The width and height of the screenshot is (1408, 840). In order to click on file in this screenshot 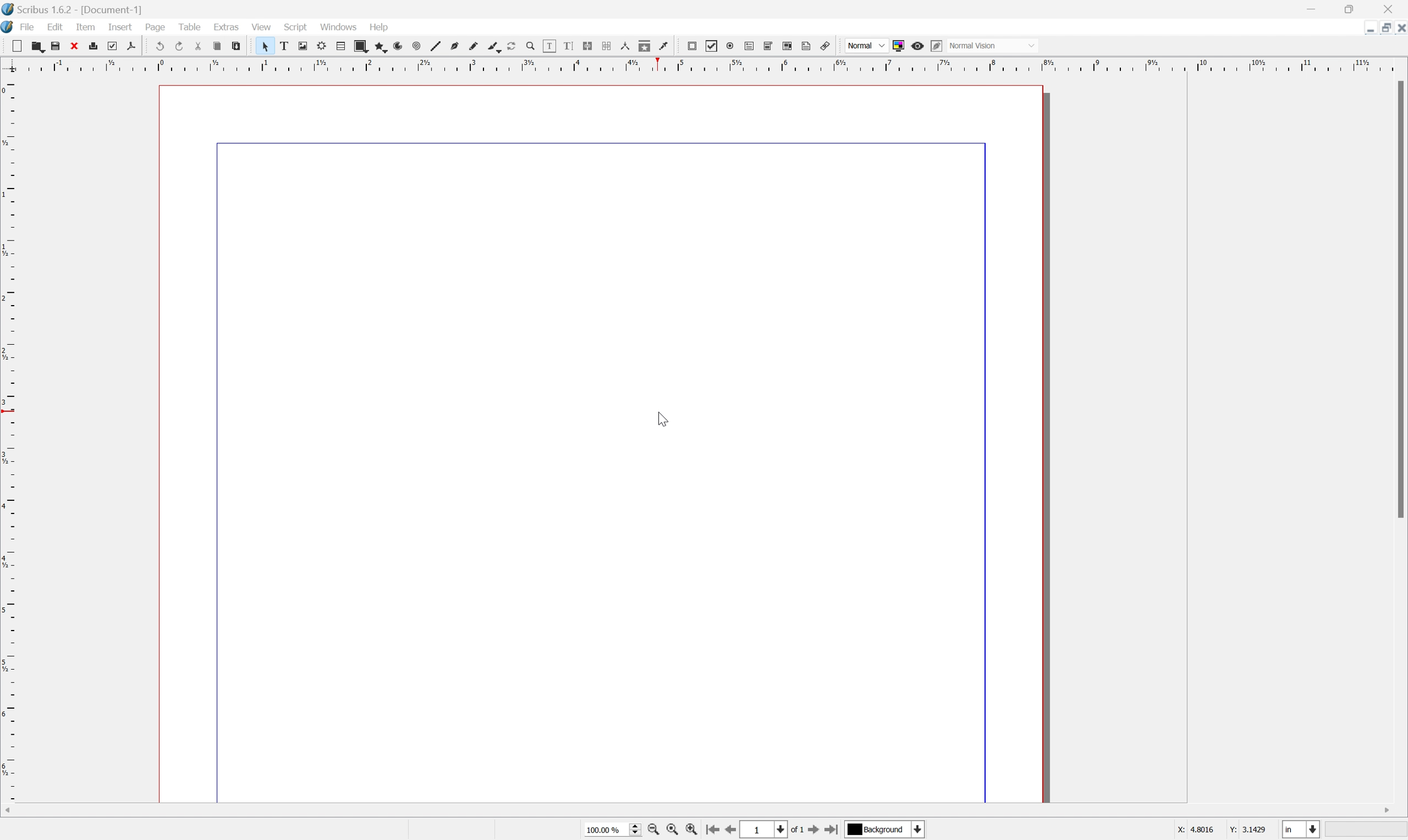, I will do `click(27, 27)`.